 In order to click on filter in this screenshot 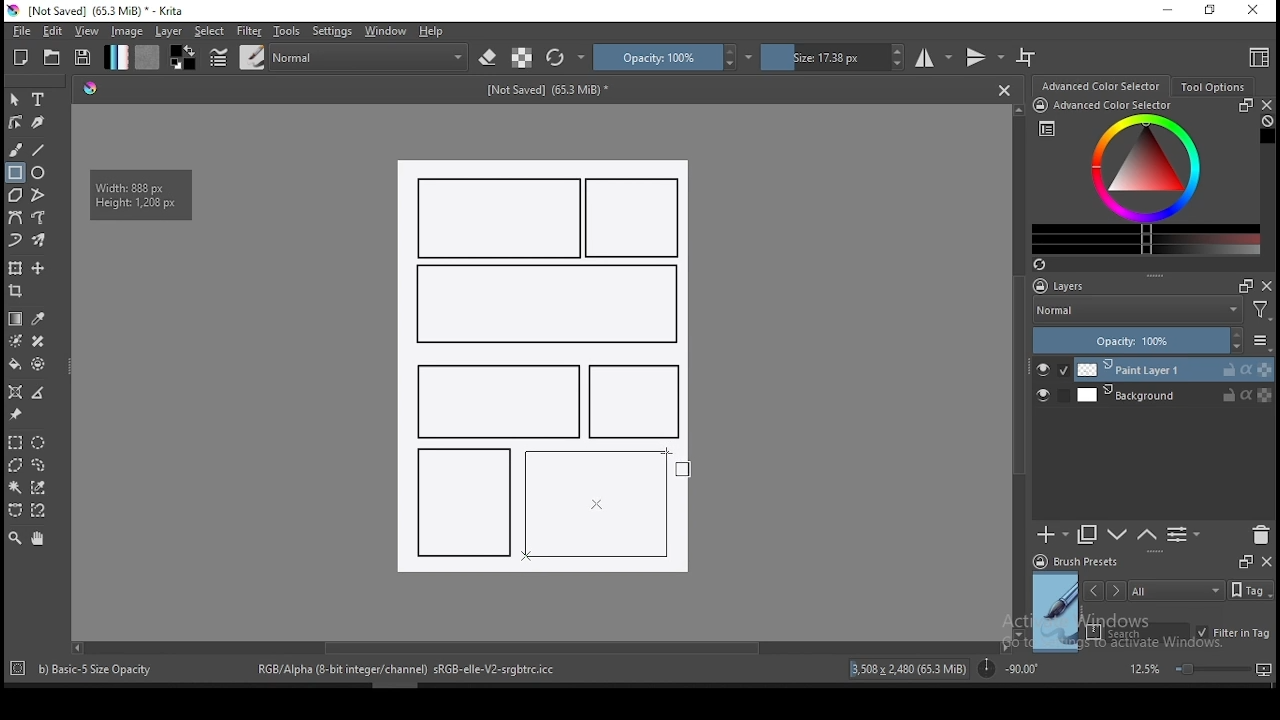, I will do `click(248, 31)`.